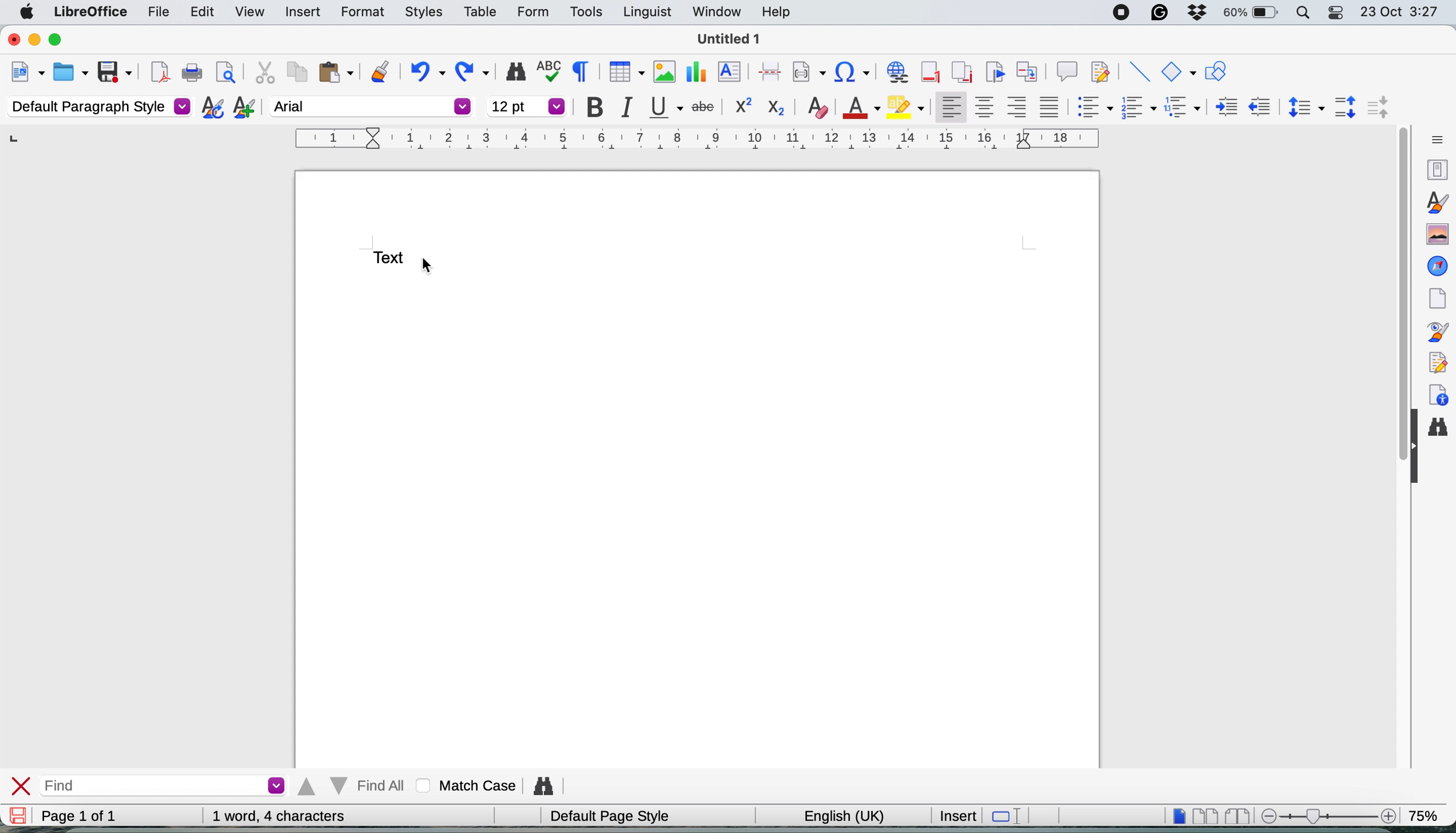 This screenshot has width=1456, height=833. What do you see at coordinates (1235, 815) in the screenshot?
I see `book view` at bounding box center [1235, 815].